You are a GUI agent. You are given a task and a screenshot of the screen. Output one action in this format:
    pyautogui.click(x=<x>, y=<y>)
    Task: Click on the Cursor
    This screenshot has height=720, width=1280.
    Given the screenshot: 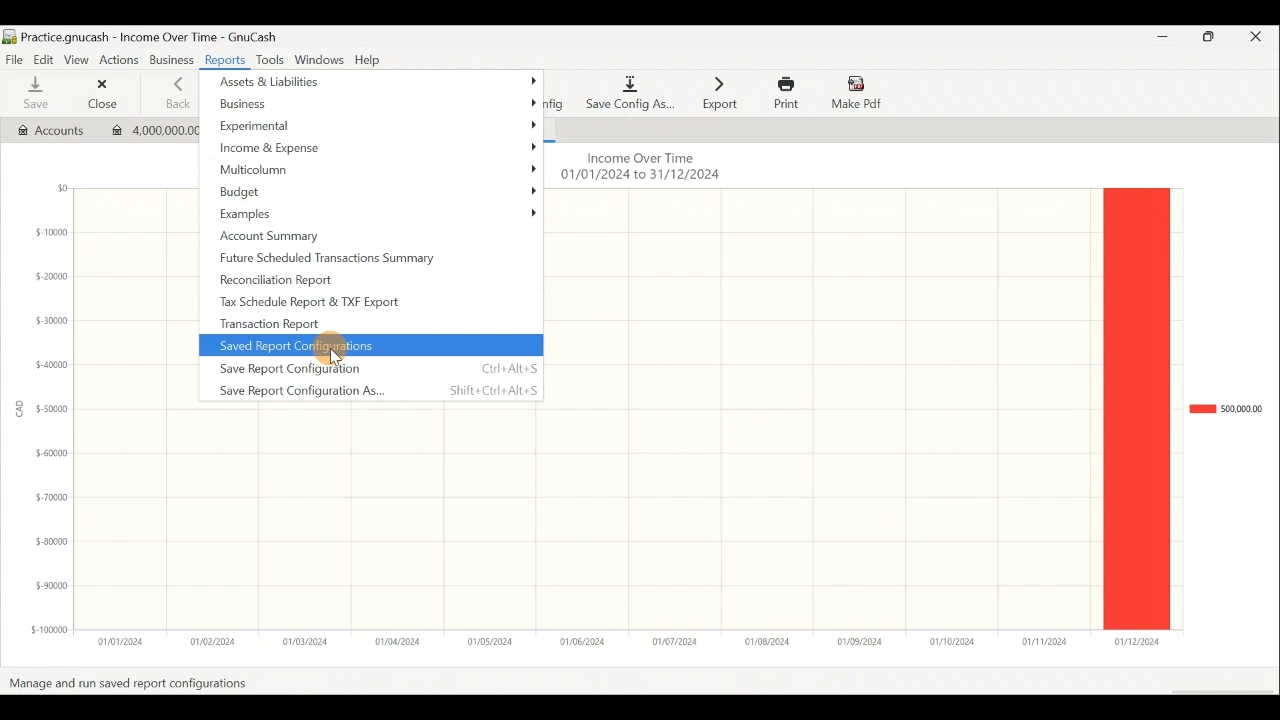 What is the action you would take?
    pyautogui.click(x=336, y=356)
    